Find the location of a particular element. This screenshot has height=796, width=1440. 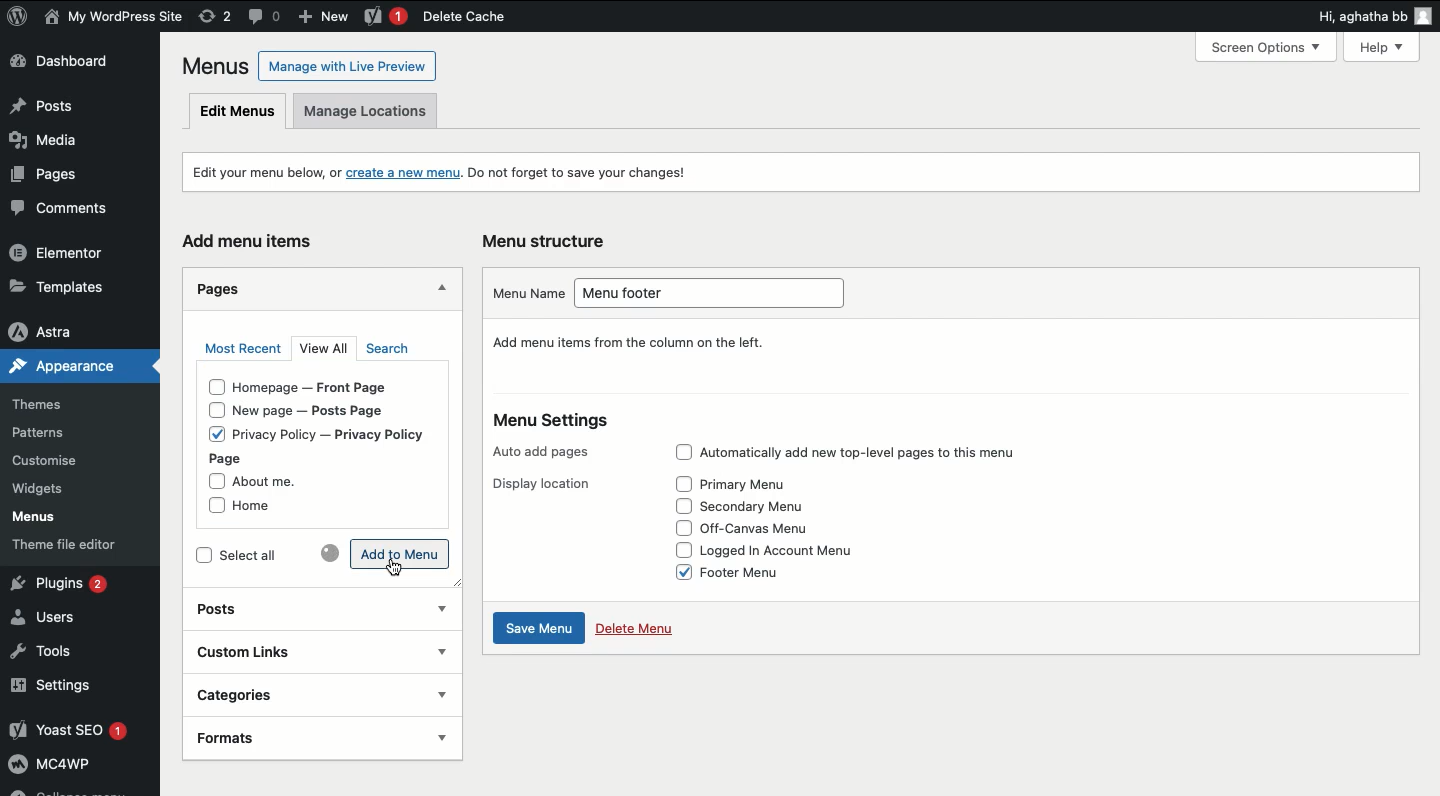

Check box is located at coordinates (682, 484).